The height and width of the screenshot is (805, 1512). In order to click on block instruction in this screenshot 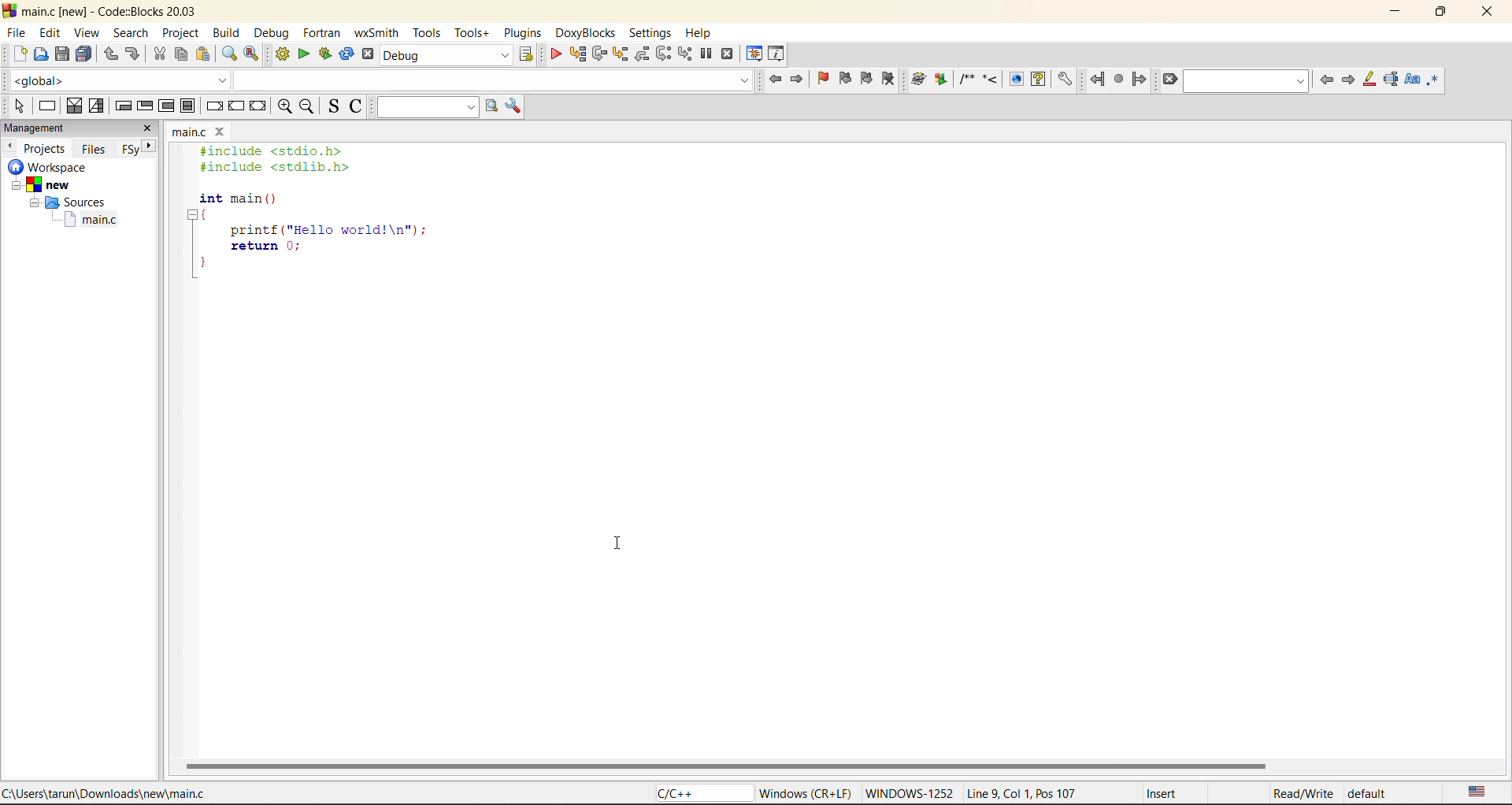, I will do `click(190, 105)`.